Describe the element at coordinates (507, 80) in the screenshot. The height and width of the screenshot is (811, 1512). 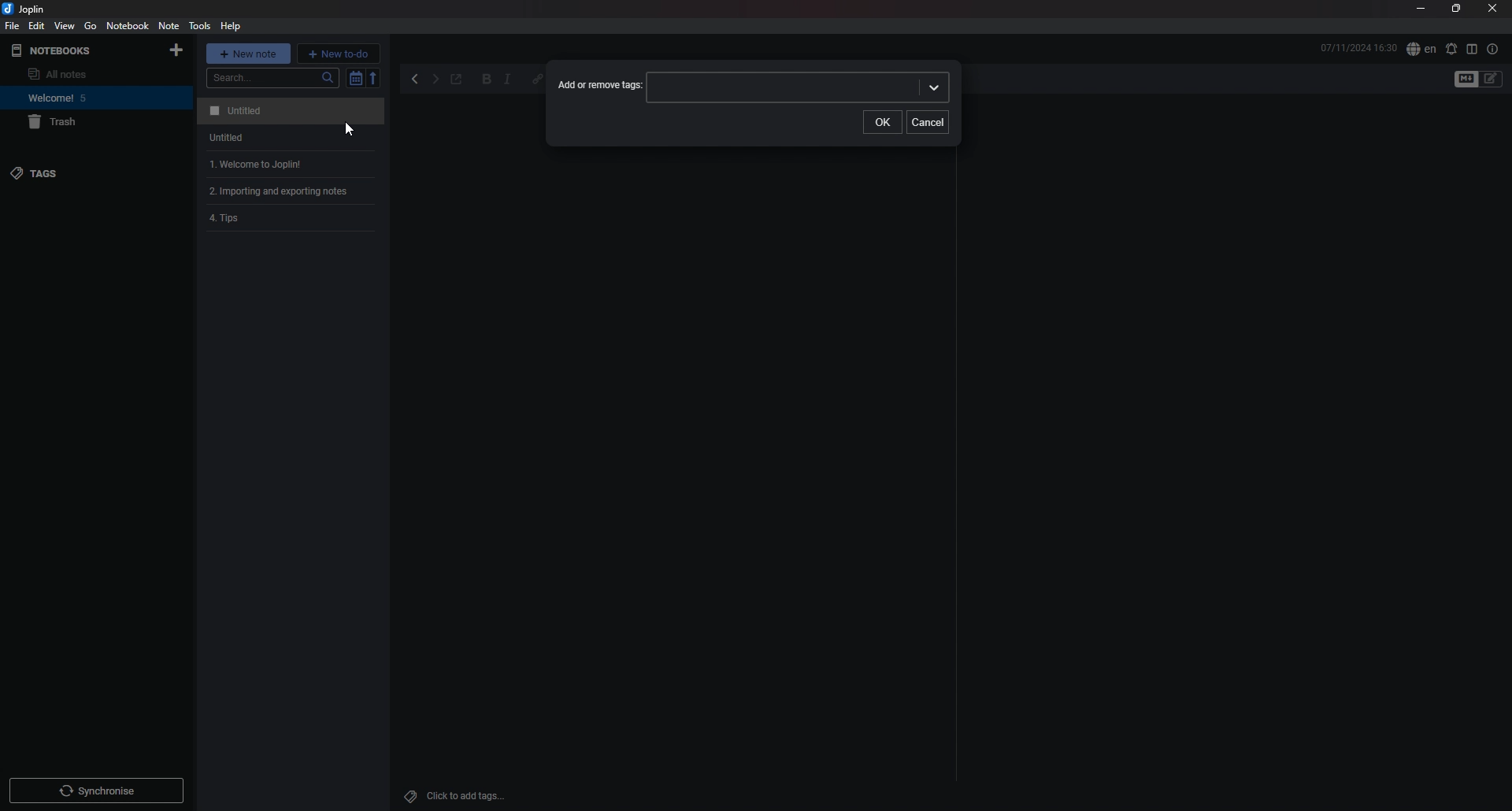
I see `italic` at that location.